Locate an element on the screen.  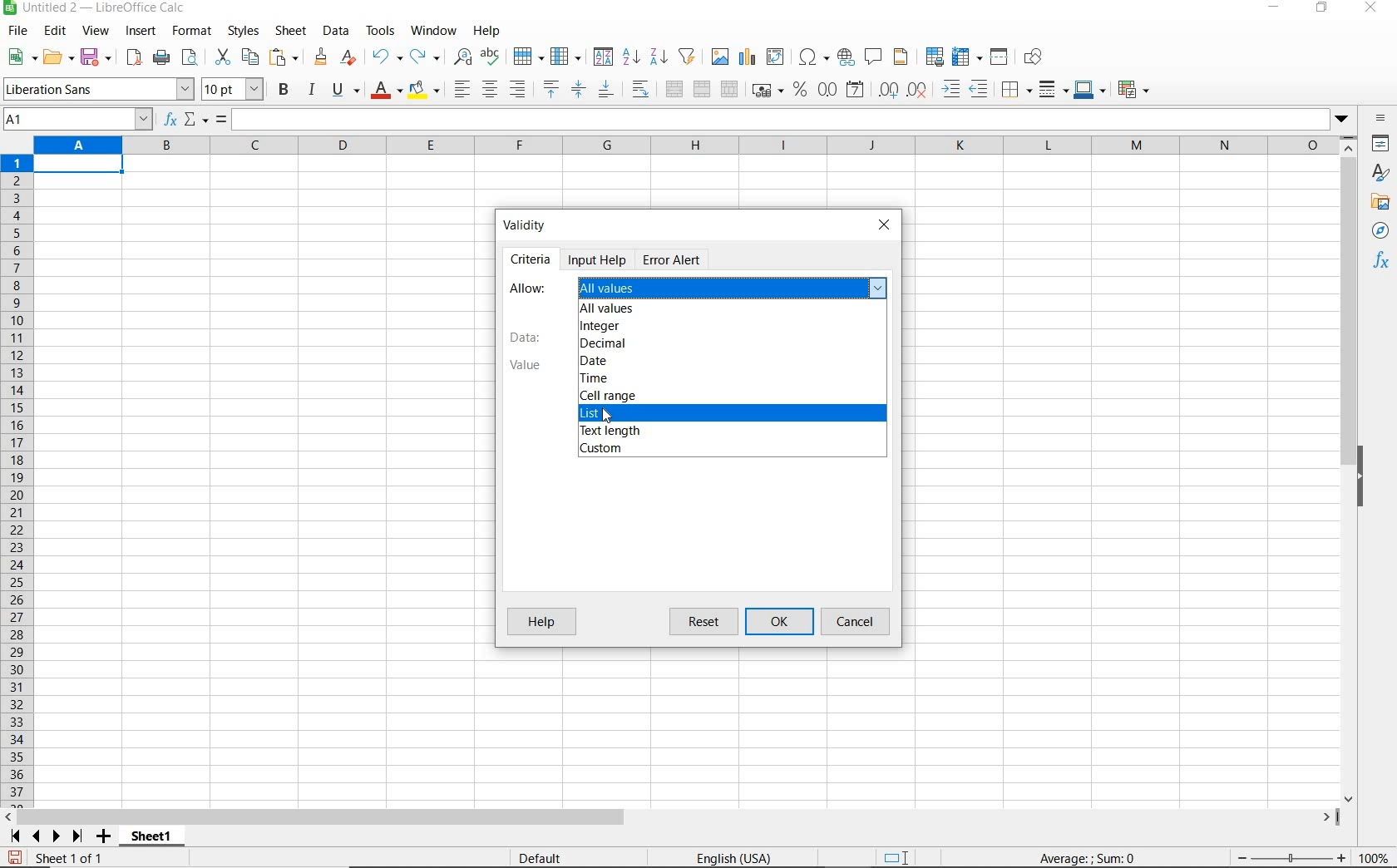
ok is located at coordinates (783, 622).